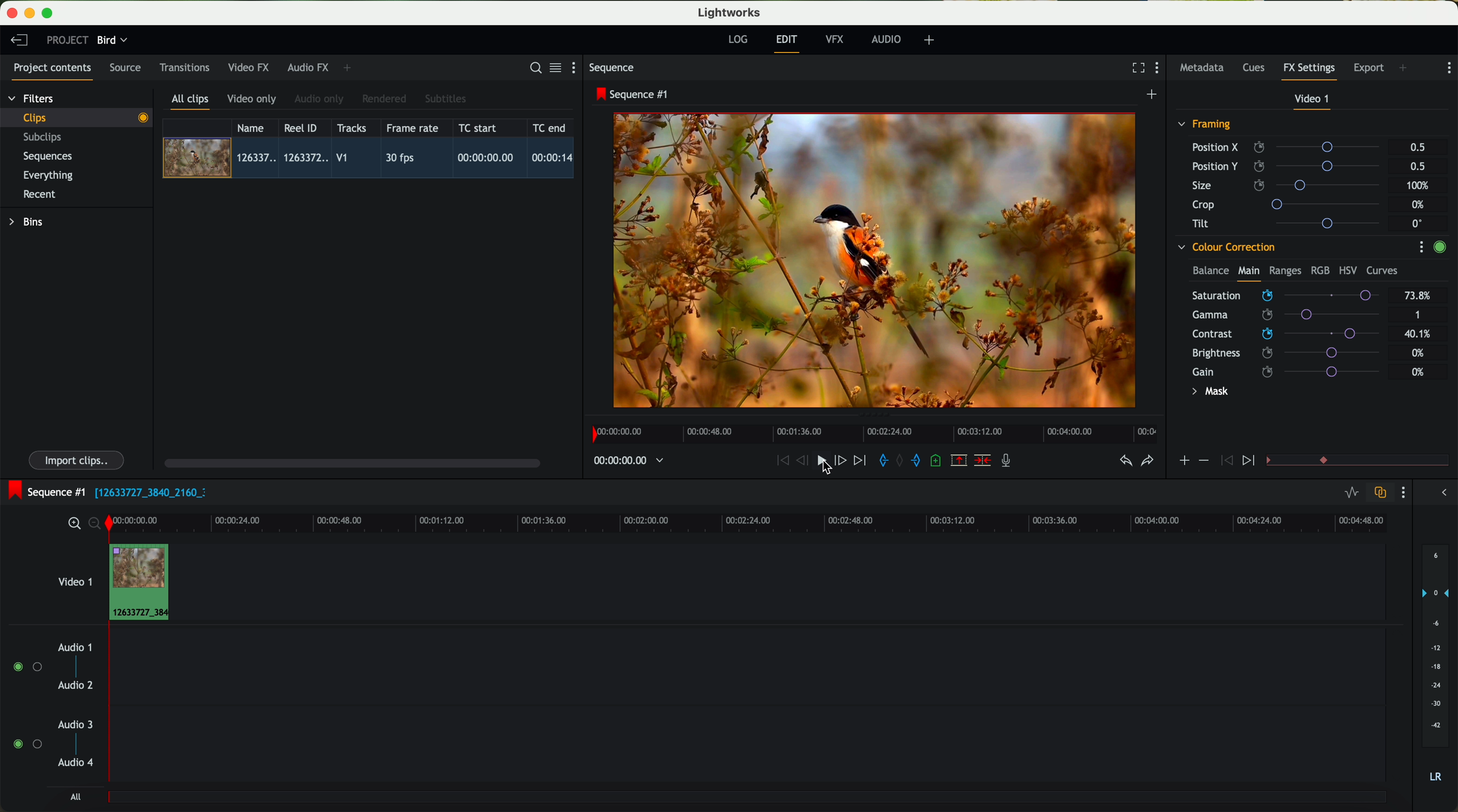 The width and height of the screenshot is (1458, 812). What do you see at coordinates (70, 724) in the screenshot?
I see `audio 3` at bounding box center [70, 724].